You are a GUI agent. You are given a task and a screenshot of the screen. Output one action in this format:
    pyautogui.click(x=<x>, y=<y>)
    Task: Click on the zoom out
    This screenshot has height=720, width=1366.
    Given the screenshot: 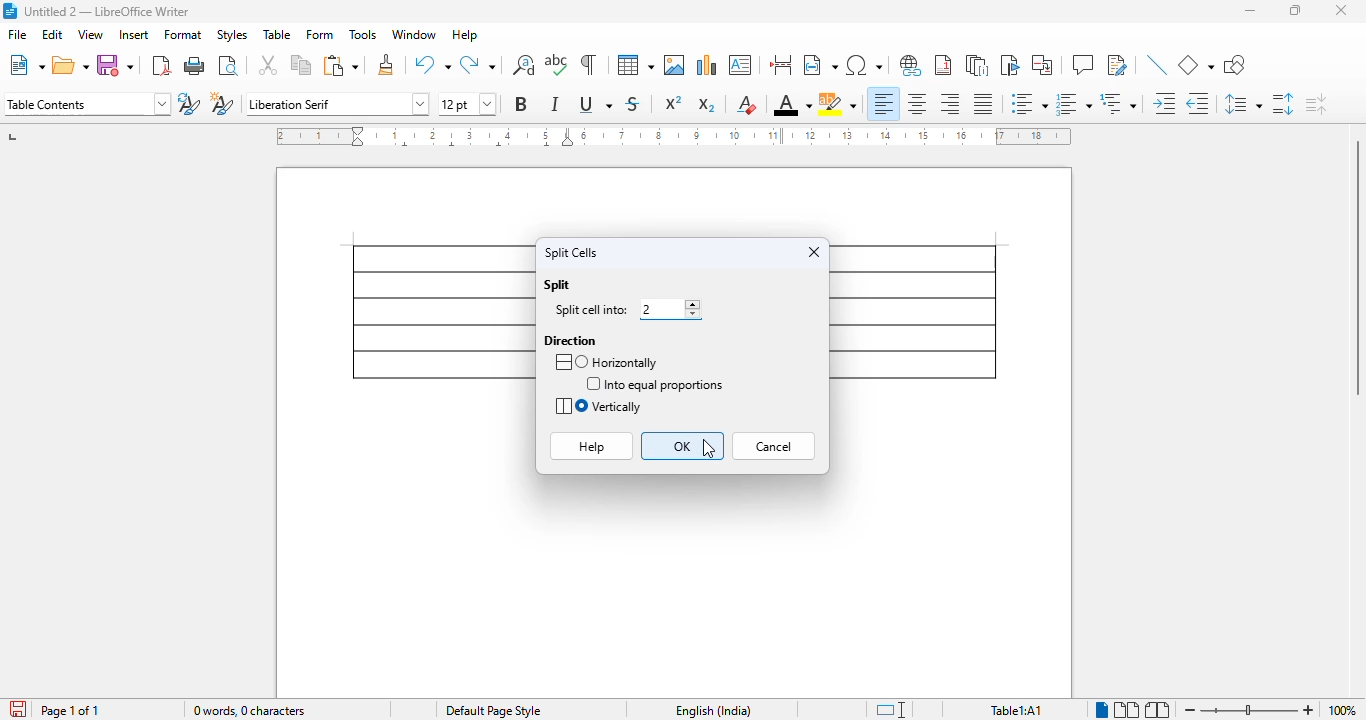 What is the action you would take?
    pyautogui.click(x=1190, y=710)
    